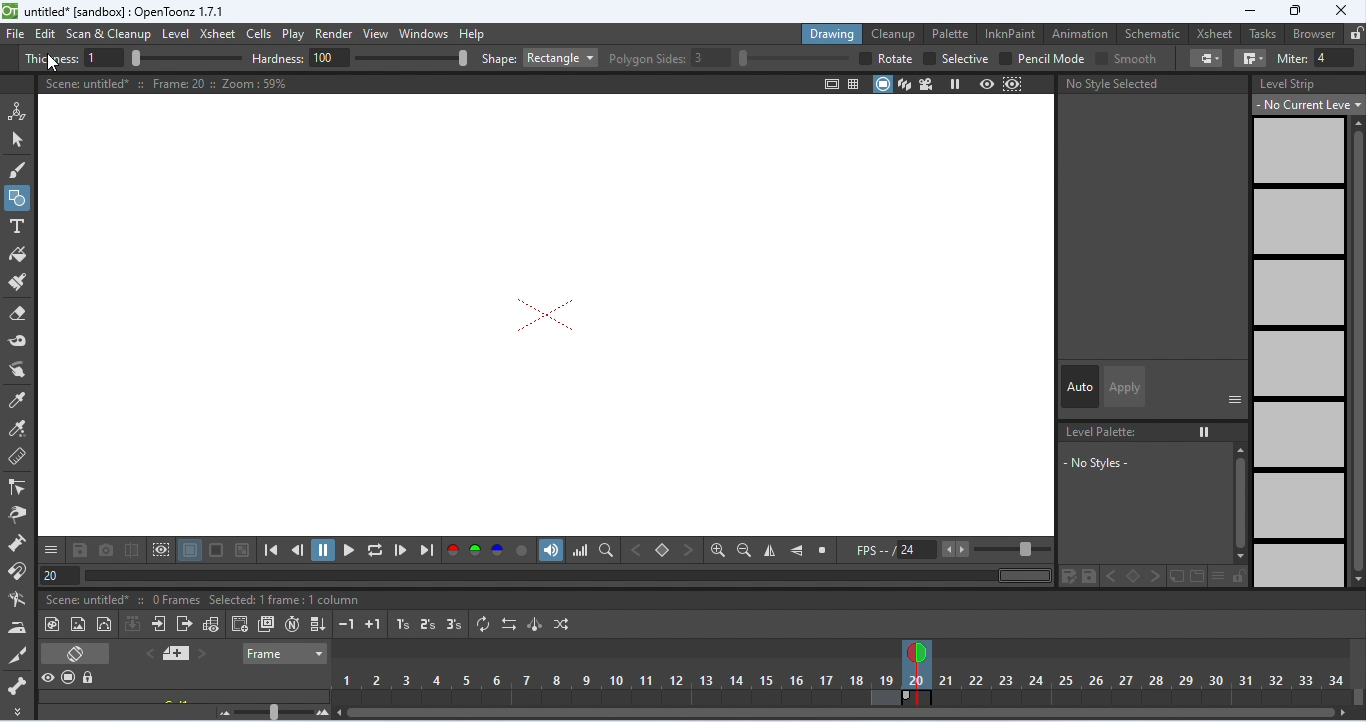 The height and width of the screenshot is (722, 1366). What do you see at coordinates (238, 624) in the screenshot?
I see `create blank drawing` at bounding box center [238, 624].